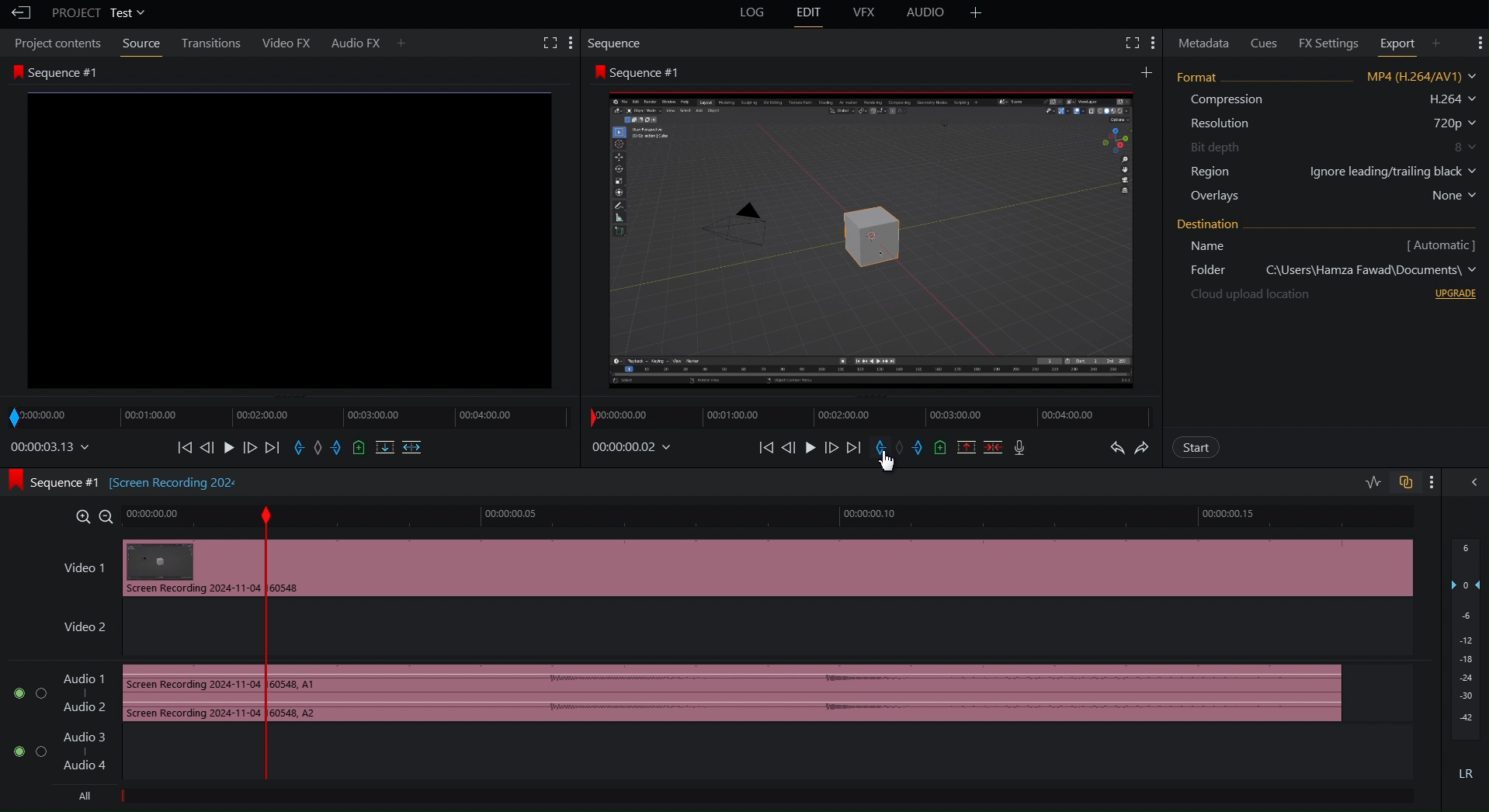 The height and width of the screenshot is (812, 1489). I want to click on Settings, so click(1479, 42).